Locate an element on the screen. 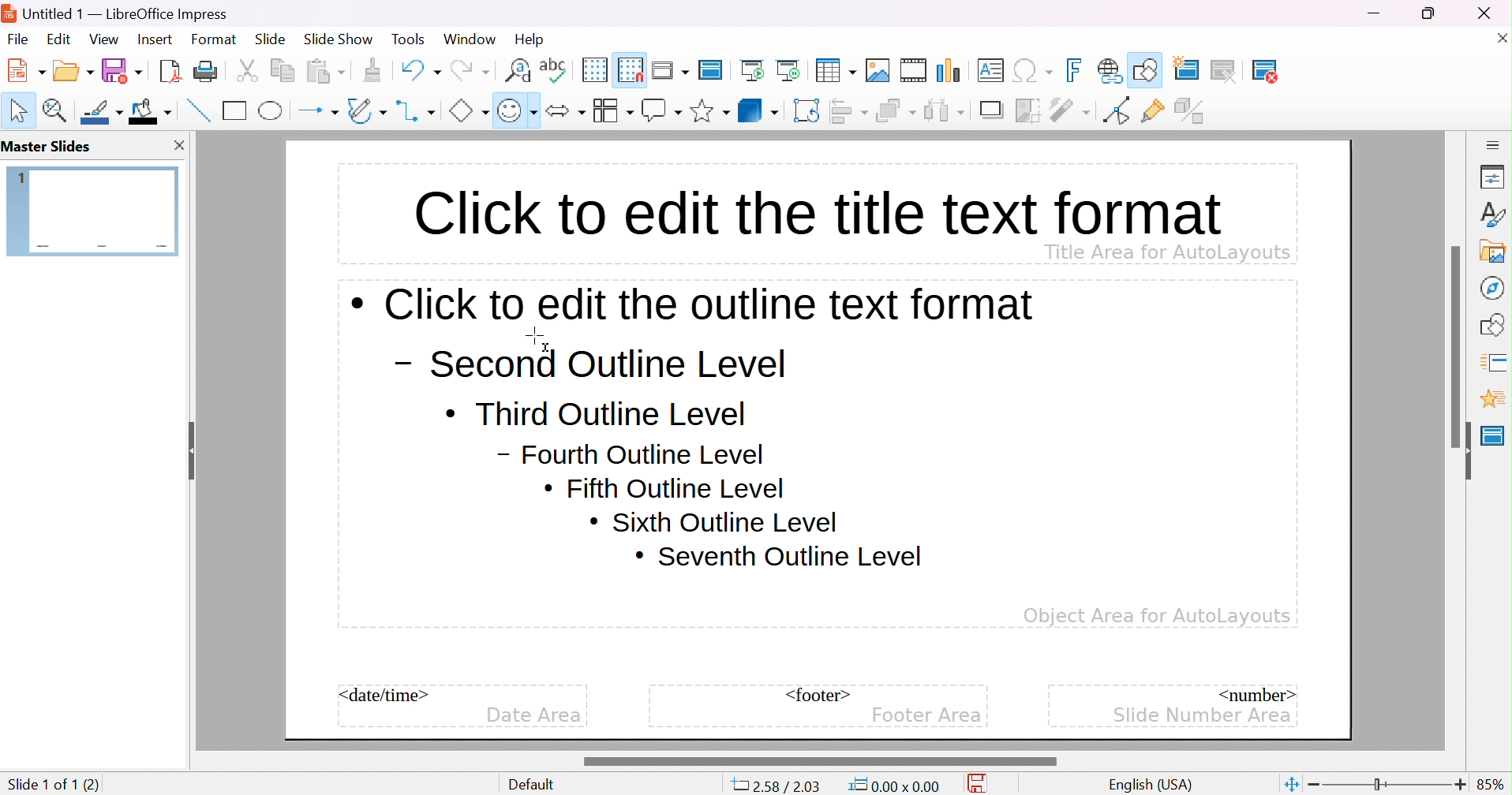  connectors is located at coordinates (417, 110).